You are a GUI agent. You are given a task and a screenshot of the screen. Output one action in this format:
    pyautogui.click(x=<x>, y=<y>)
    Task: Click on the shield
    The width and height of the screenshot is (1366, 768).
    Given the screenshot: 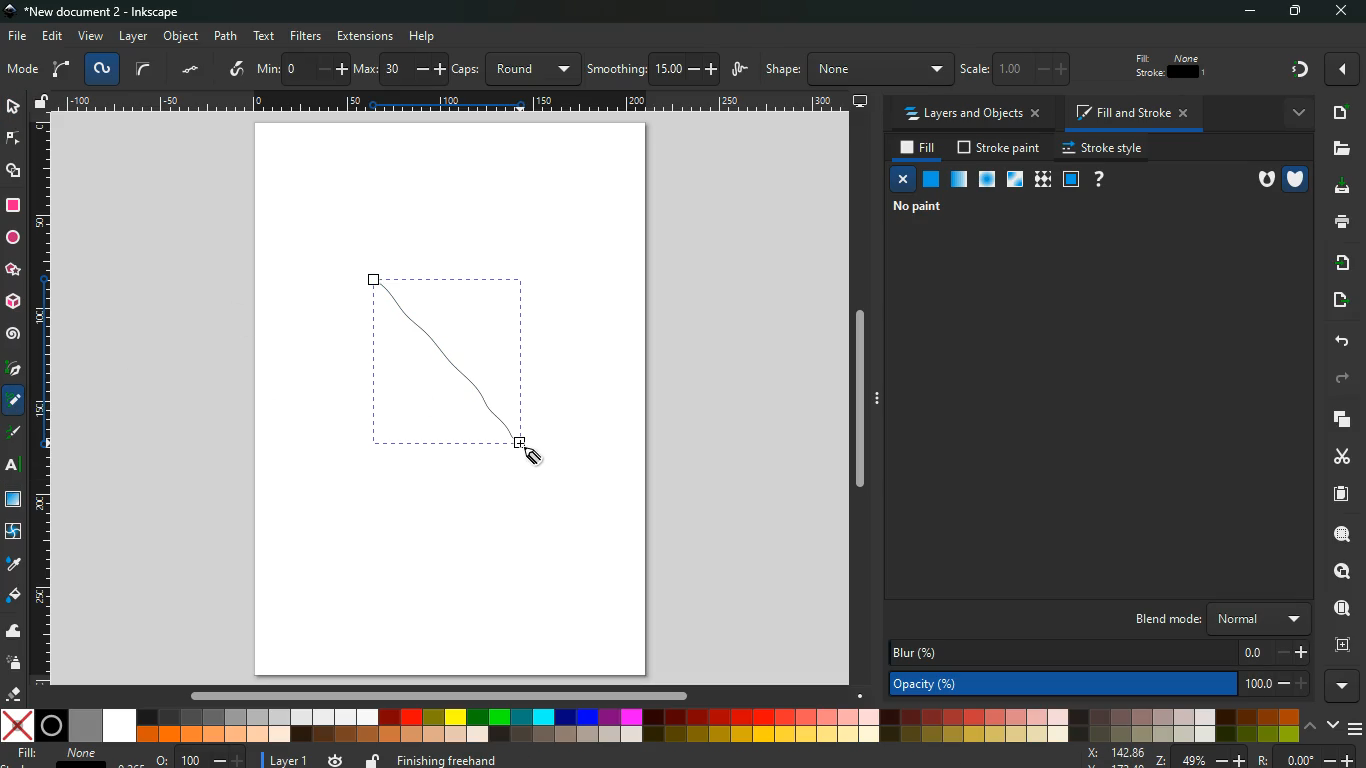 What is the action you would take?
    pyautogui.click(x=1295, y=177)
    